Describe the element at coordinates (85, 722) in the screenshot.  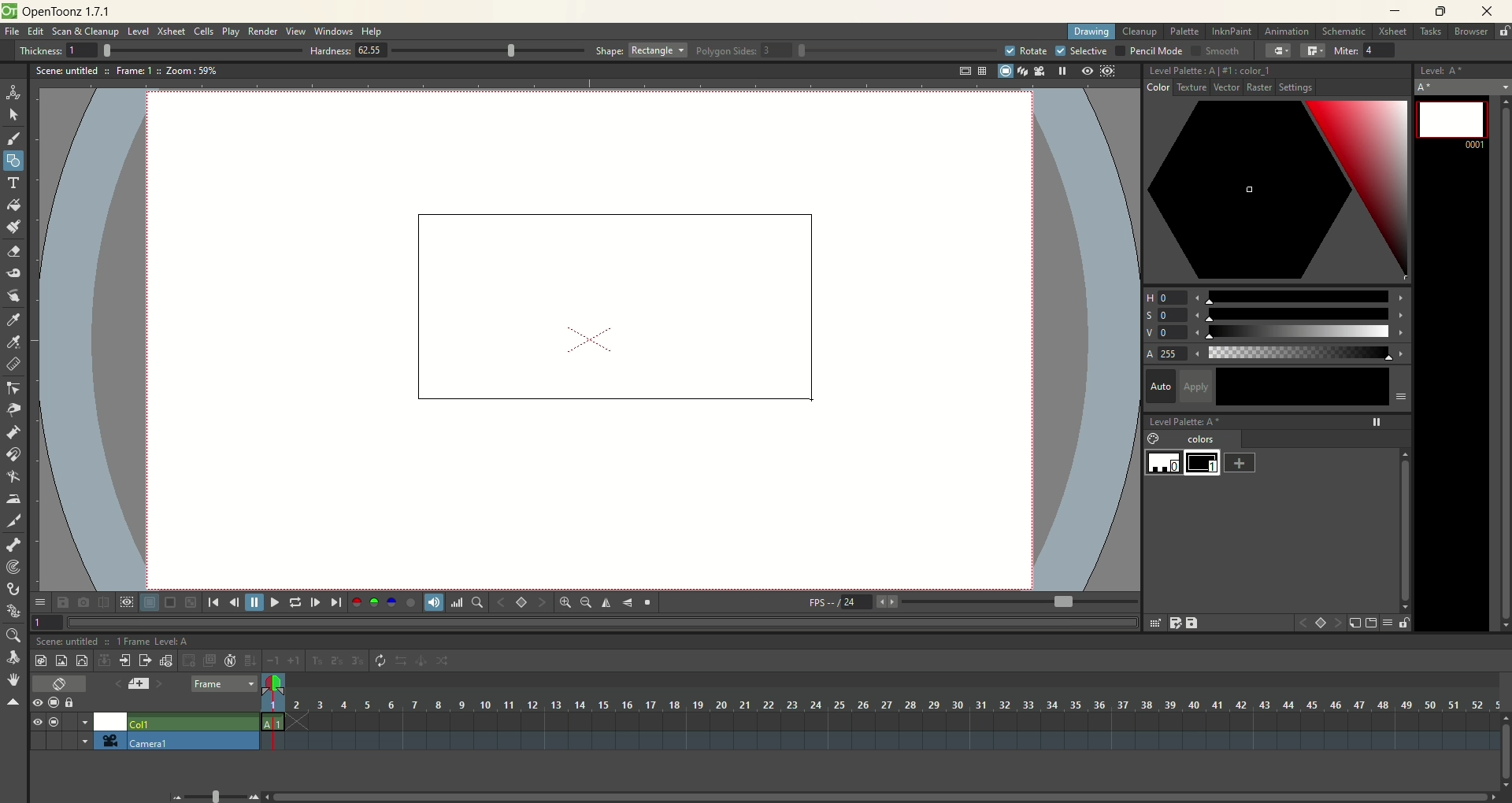
I see `recording` at that location.